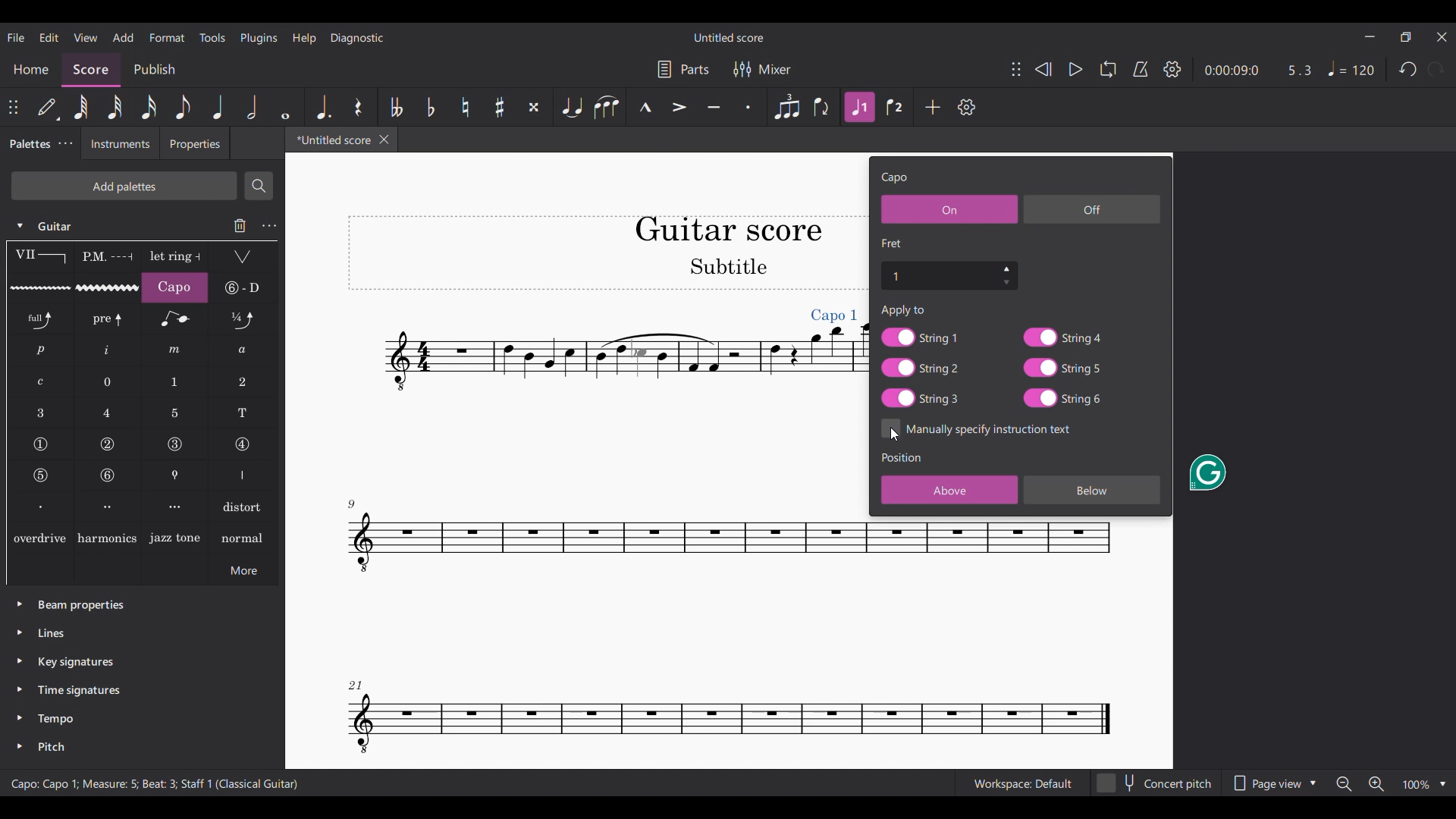 The height and width of the screenshot is (819, 1456). Describe the element at coordinates (19, 717) in the screenshot. I see `Click to expand tempo palette` at that location.